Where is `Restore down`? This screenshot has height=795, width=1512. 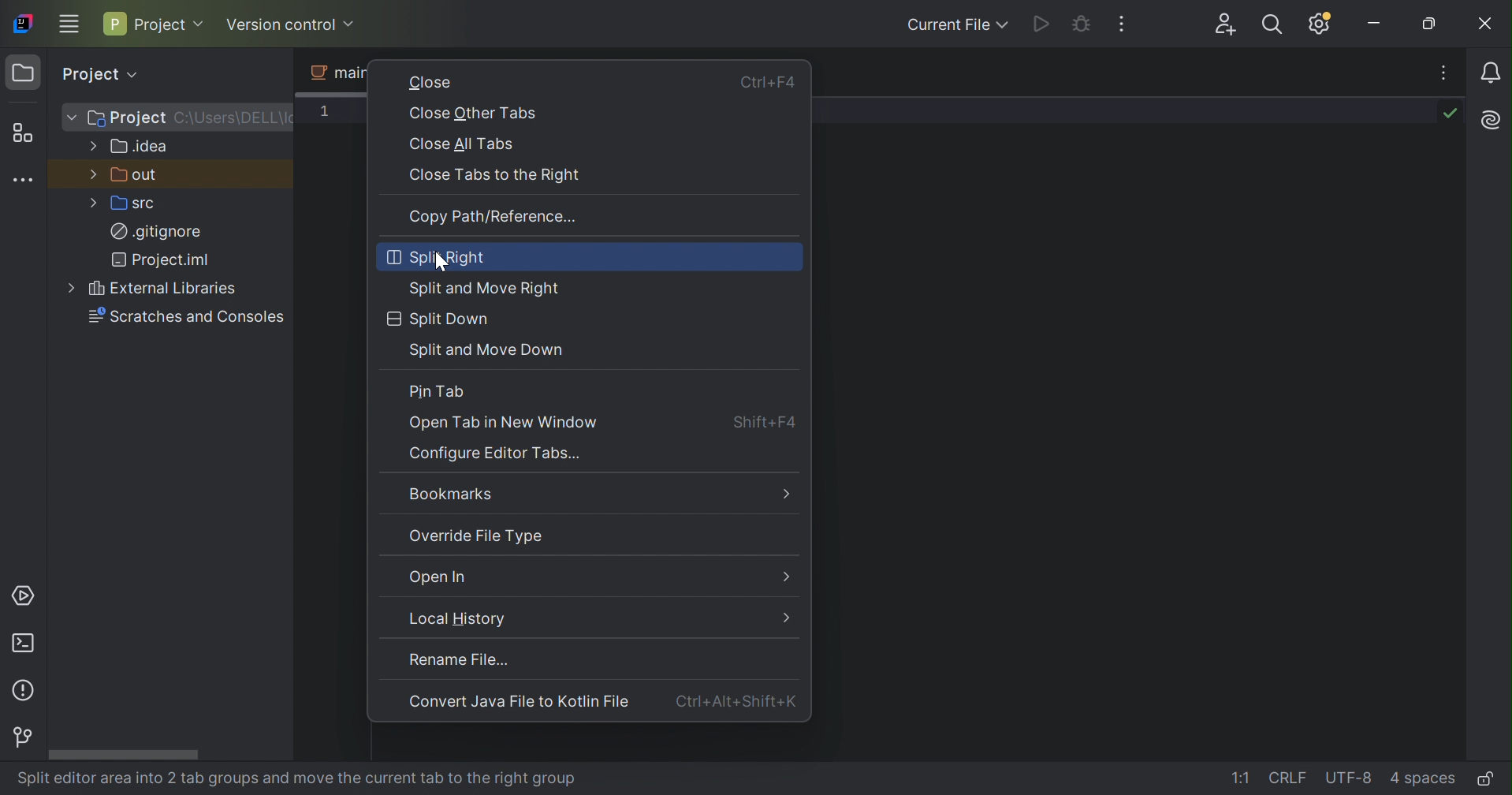
Restore down is located at coordinates (1431, 24).